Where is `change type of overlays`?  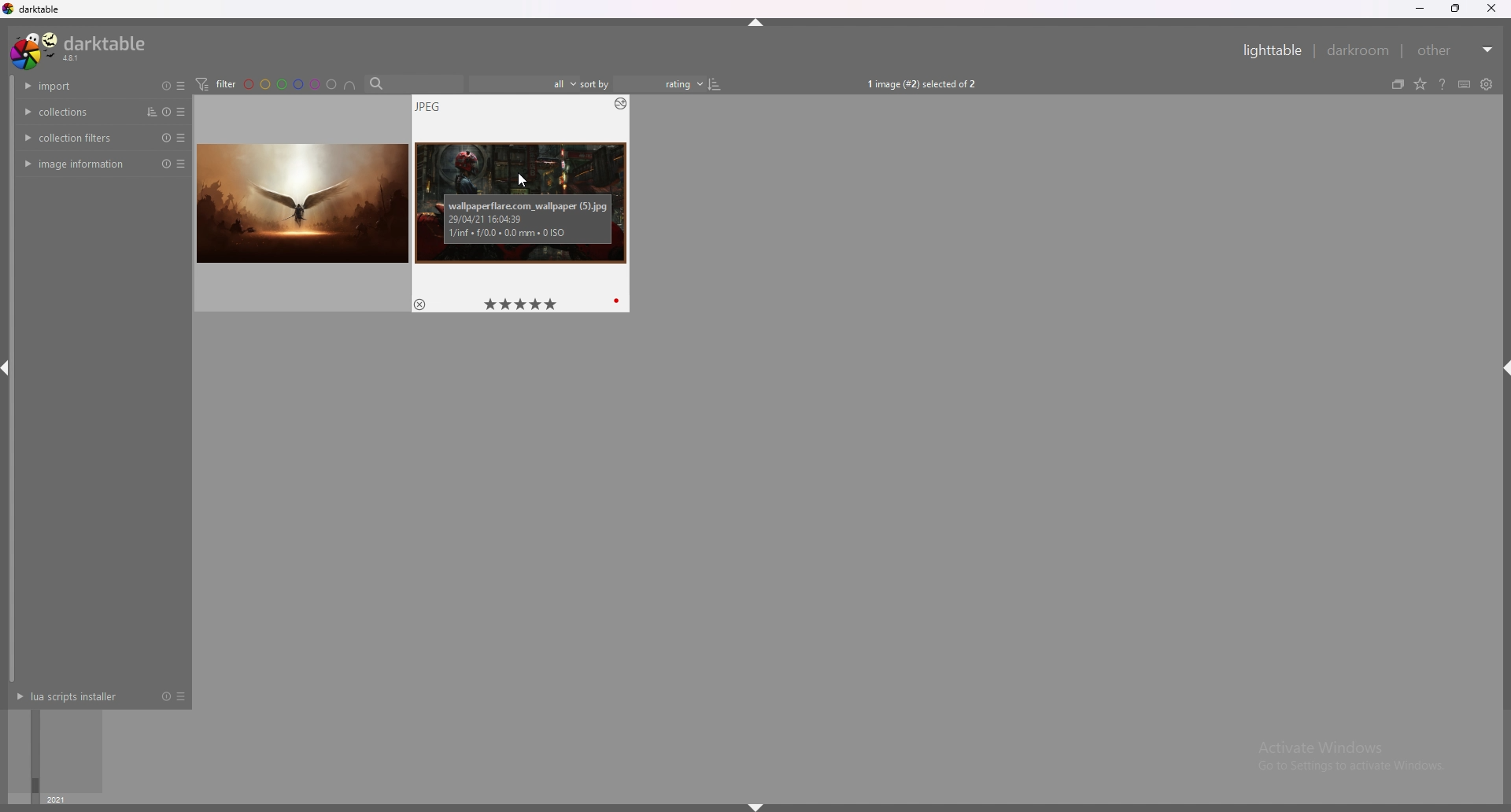
change type of overlays is located at coordinates (1420, 84).